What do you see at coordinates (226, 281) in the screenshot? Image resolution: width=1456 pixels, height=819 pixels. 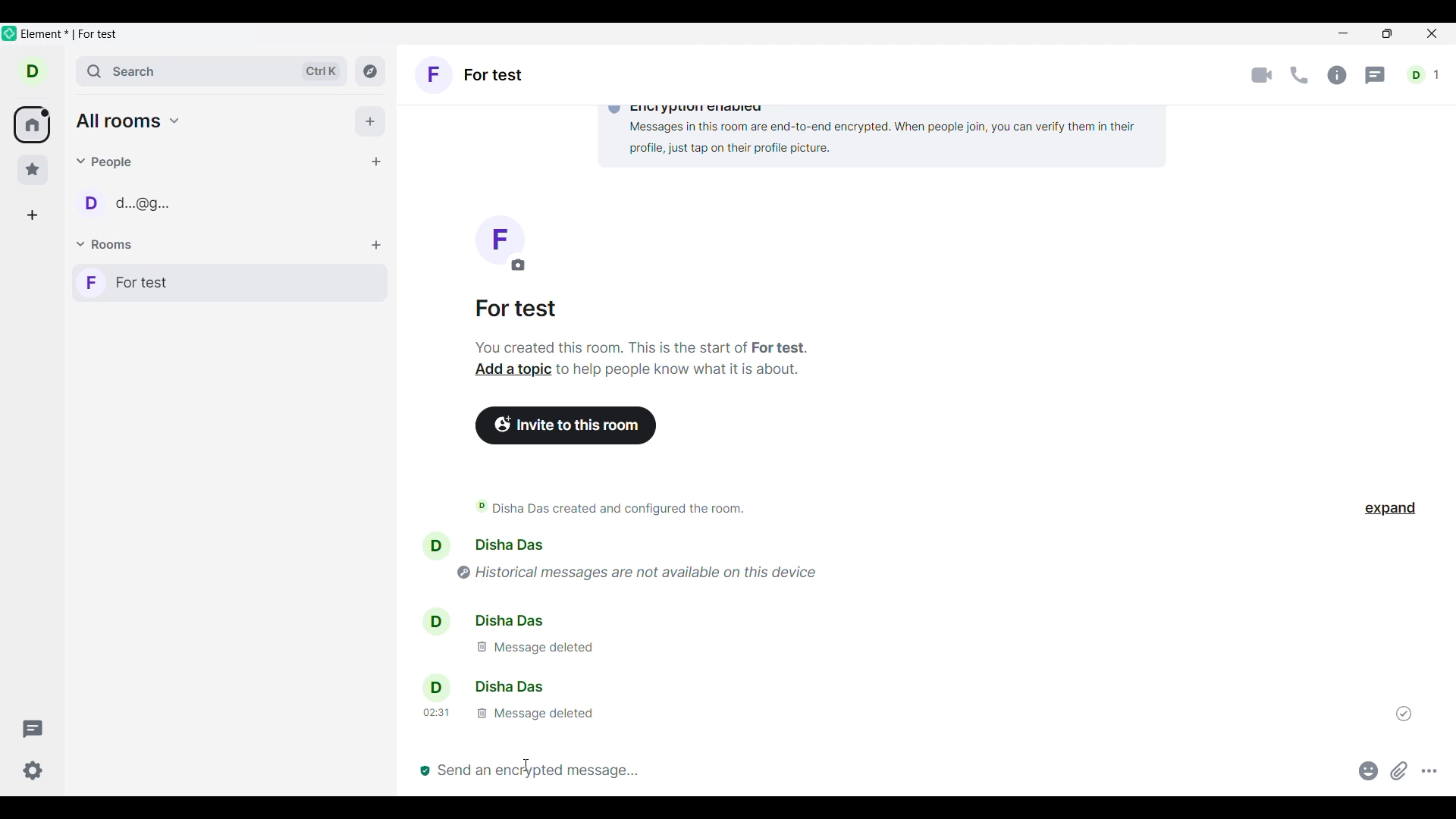 I see `F For test` at bounding box center [226, 281].